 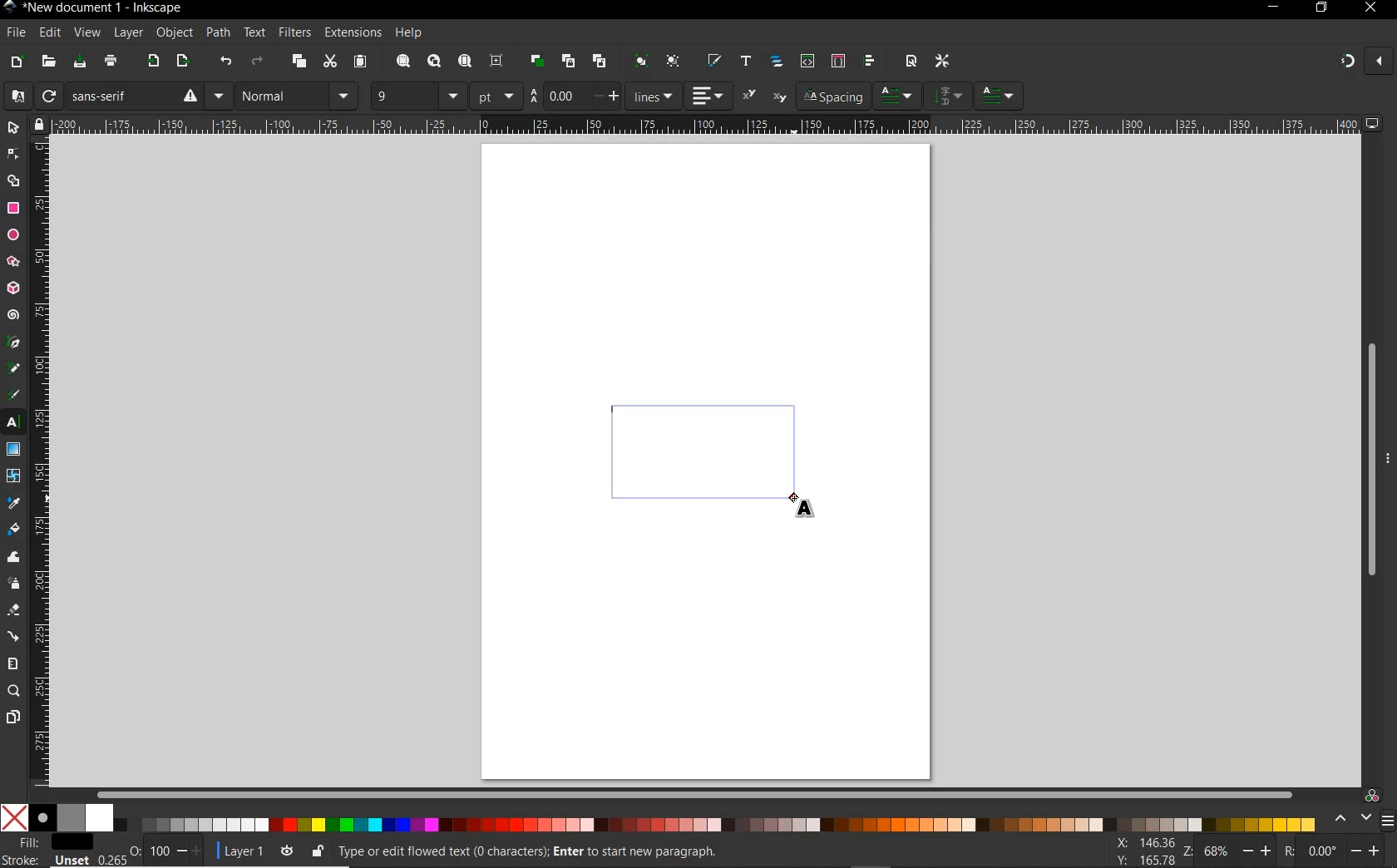 I want to click on superscript, so click(x=750, y=95).